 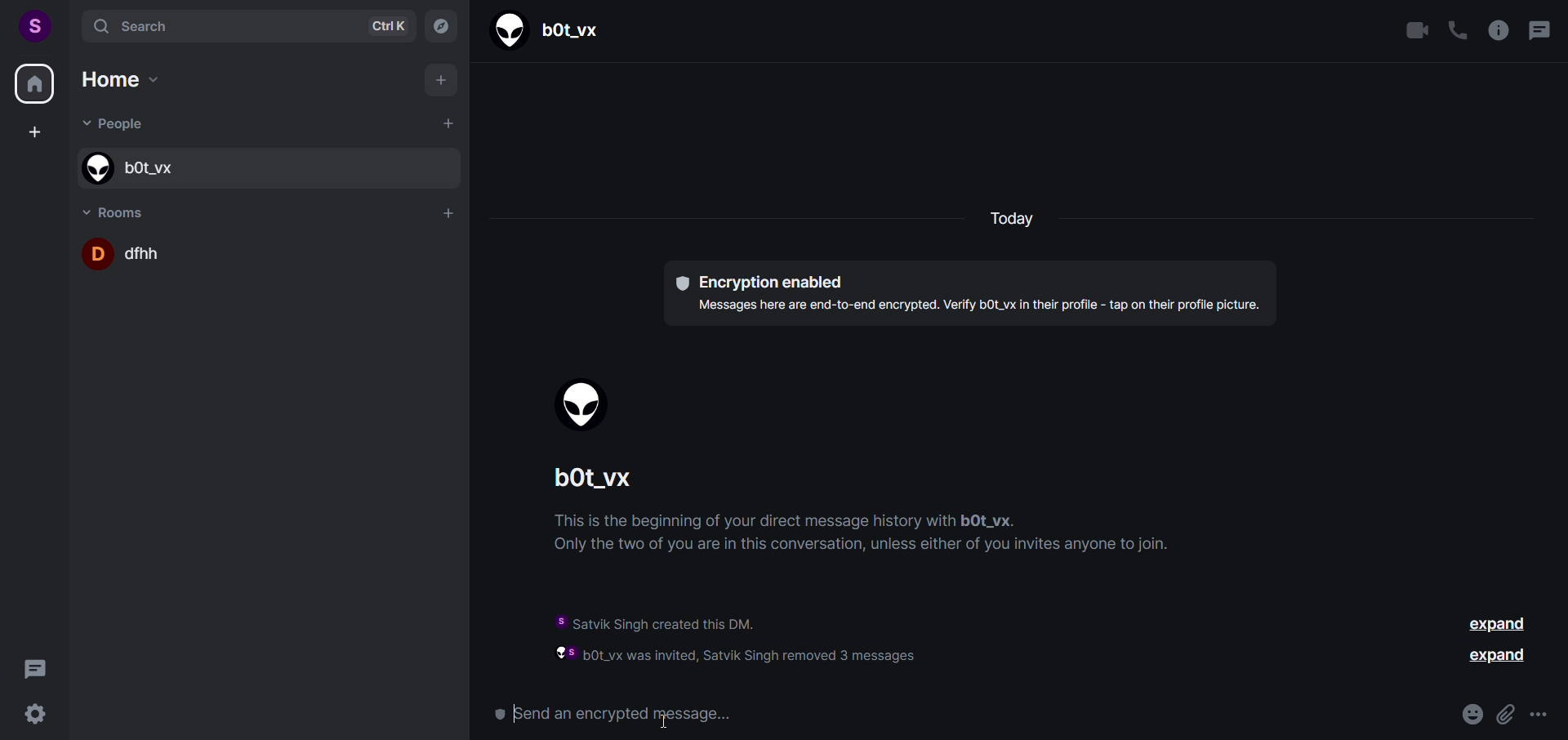 I want to click on information, so click(x=773, y=635).